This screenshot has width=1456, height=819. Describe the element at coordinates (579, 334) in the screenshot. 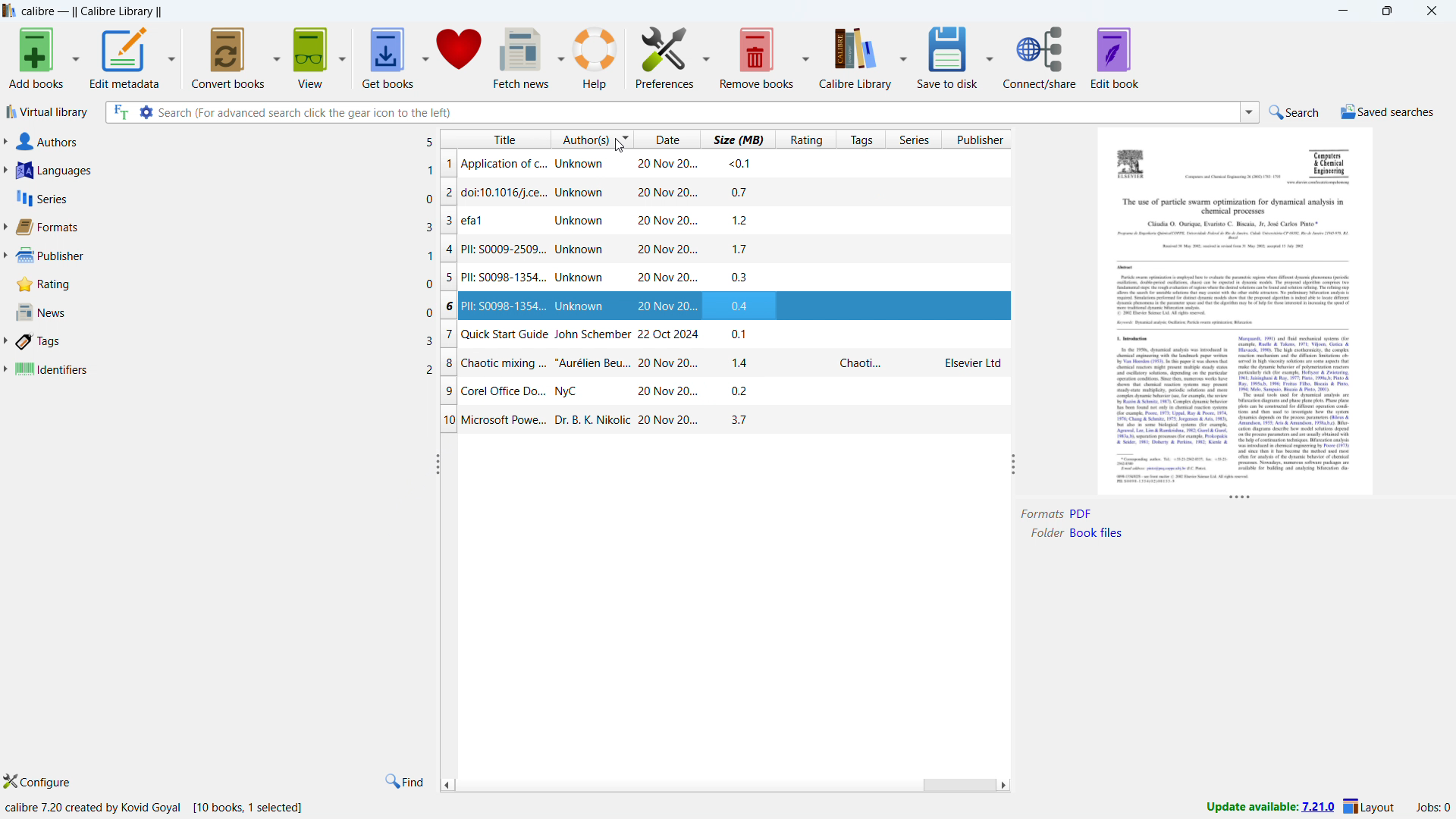

I see `Quick Start Guide John Schember 22 Oct 2024` at that location.